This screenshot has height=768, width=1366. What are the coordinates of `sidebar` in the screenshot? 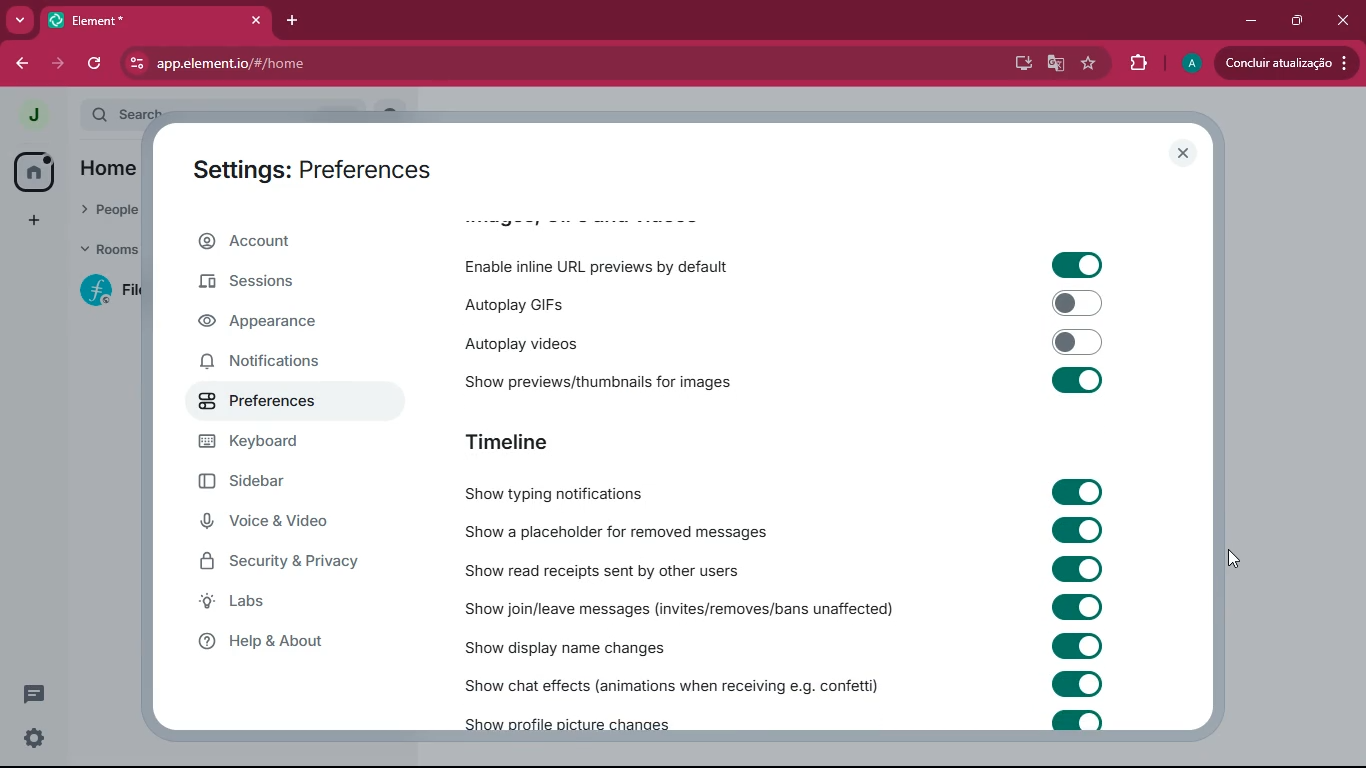 It's located at (272, 482).